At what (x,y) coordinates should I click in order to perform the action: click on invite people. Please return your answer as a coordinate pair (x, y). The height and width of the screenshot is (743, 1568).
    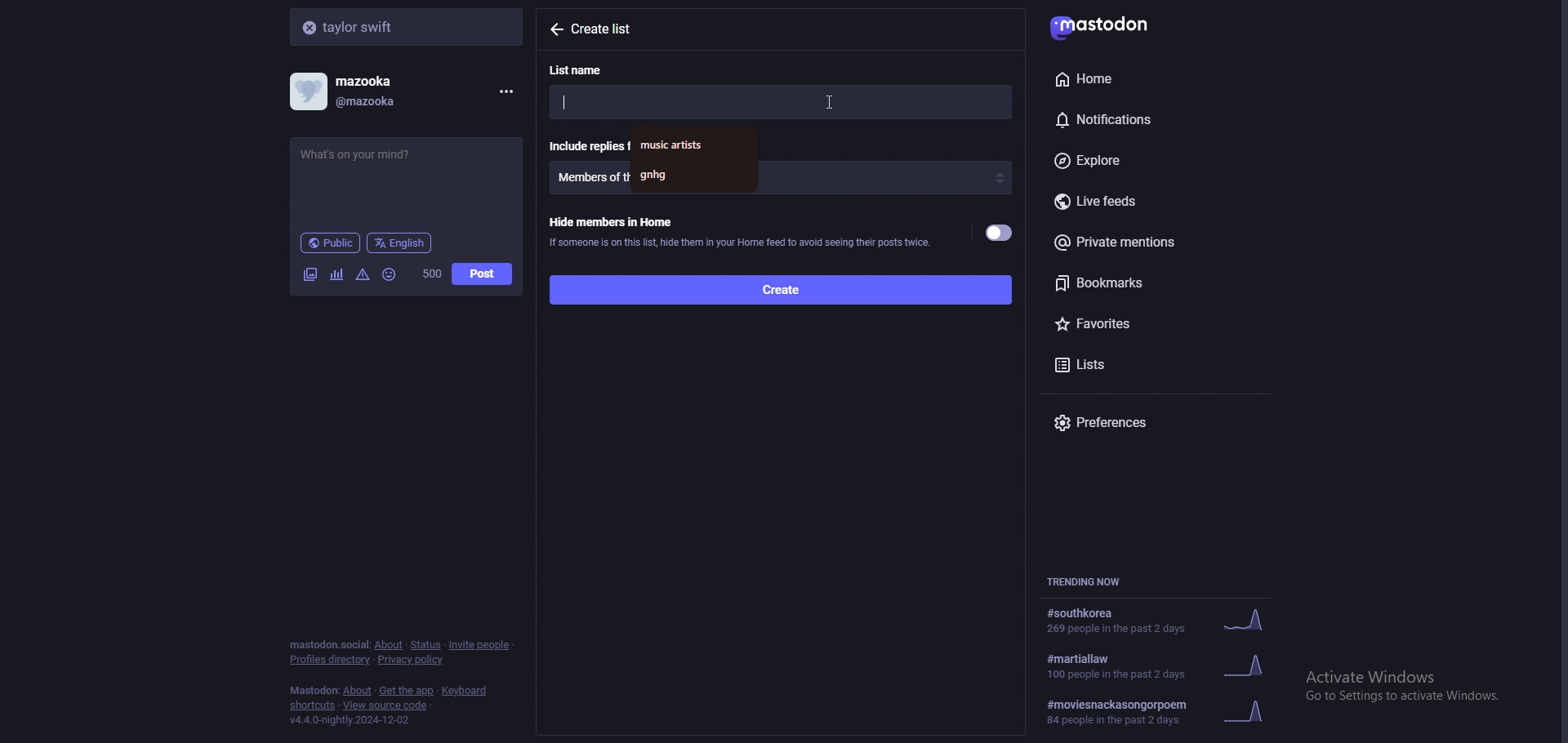
    Looking at the image, I should click on (480, 644).